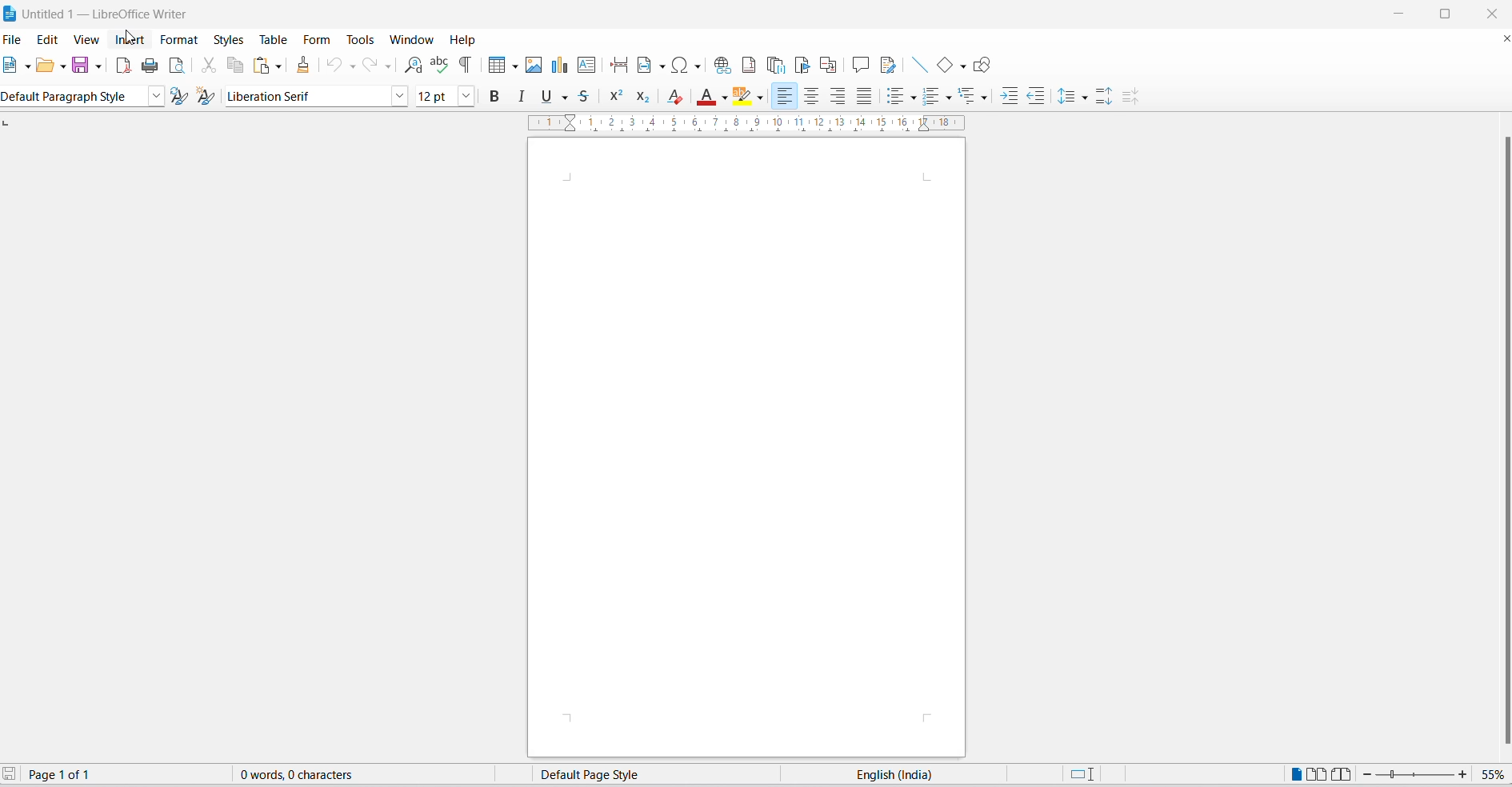 The height and width of the screenshot is (787, 1512). Describe the element at coordinates (618, 66) in the screenshot. I see `page break` at that location.